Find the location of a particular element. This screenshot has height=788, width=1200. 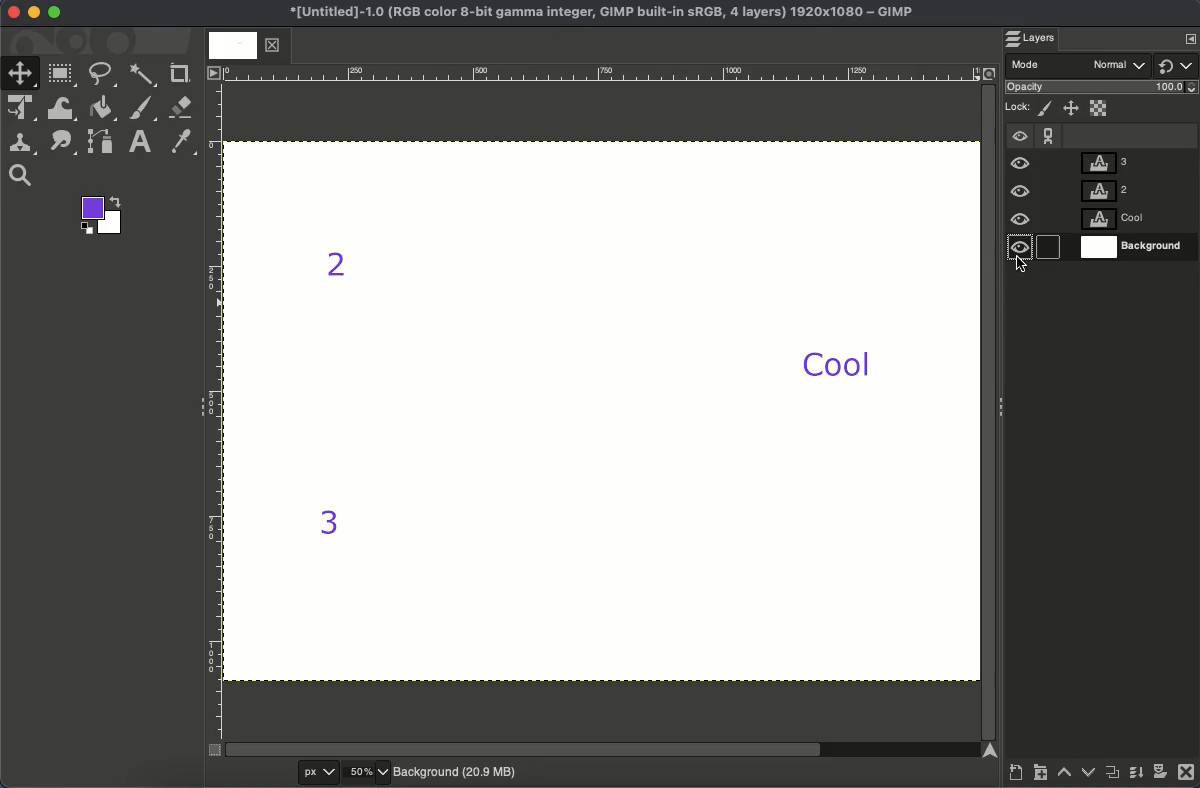

Ruler is located at coordinates (214, 412).